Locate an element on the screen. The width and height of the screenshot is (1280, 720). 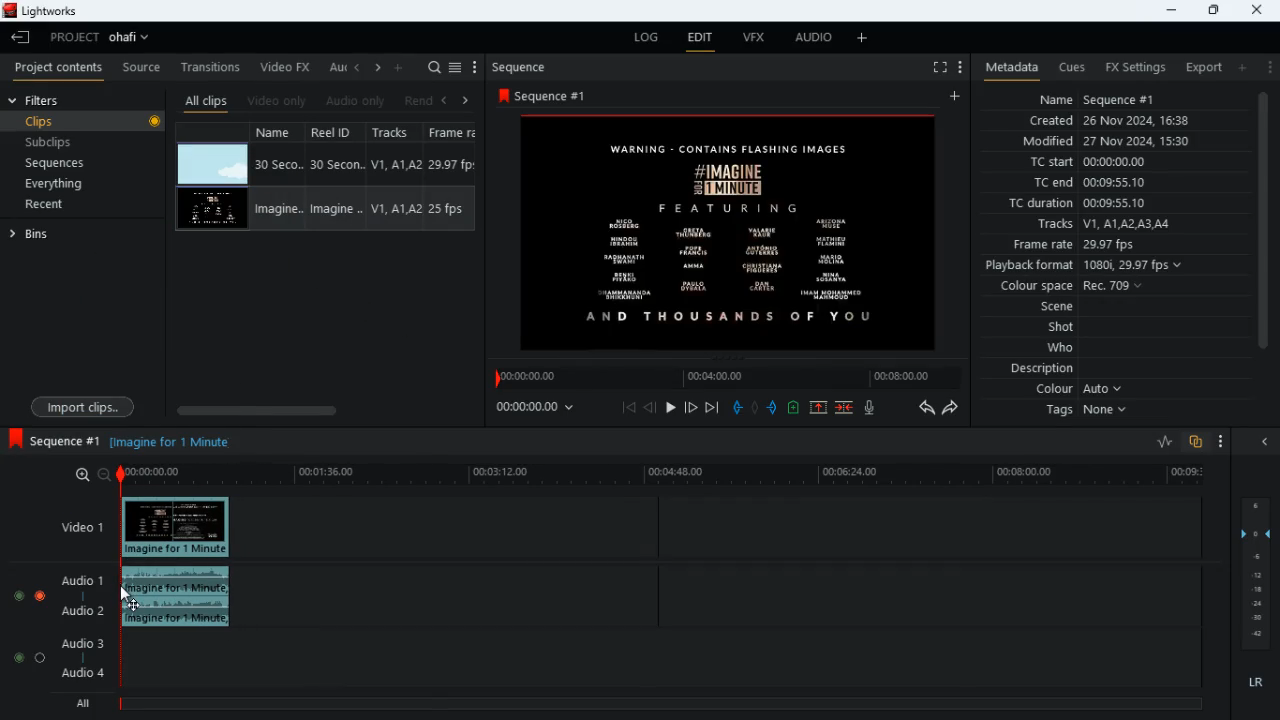
30 seco.. is located at coordinates (279, 163).